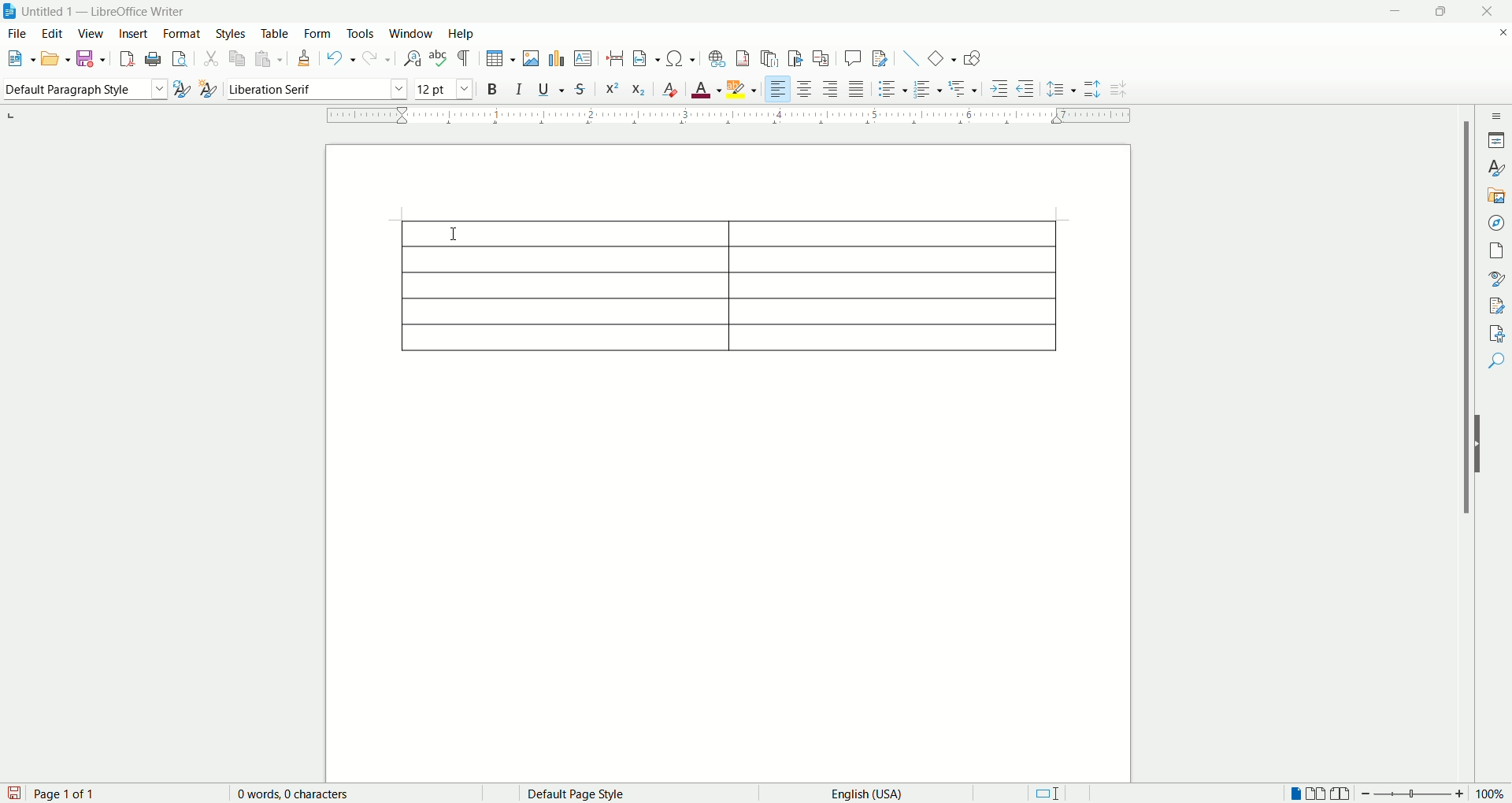 Image resolution: width=1512 pixels, height=803 pixels. I want to click on clone formatting, so click(304, 57).